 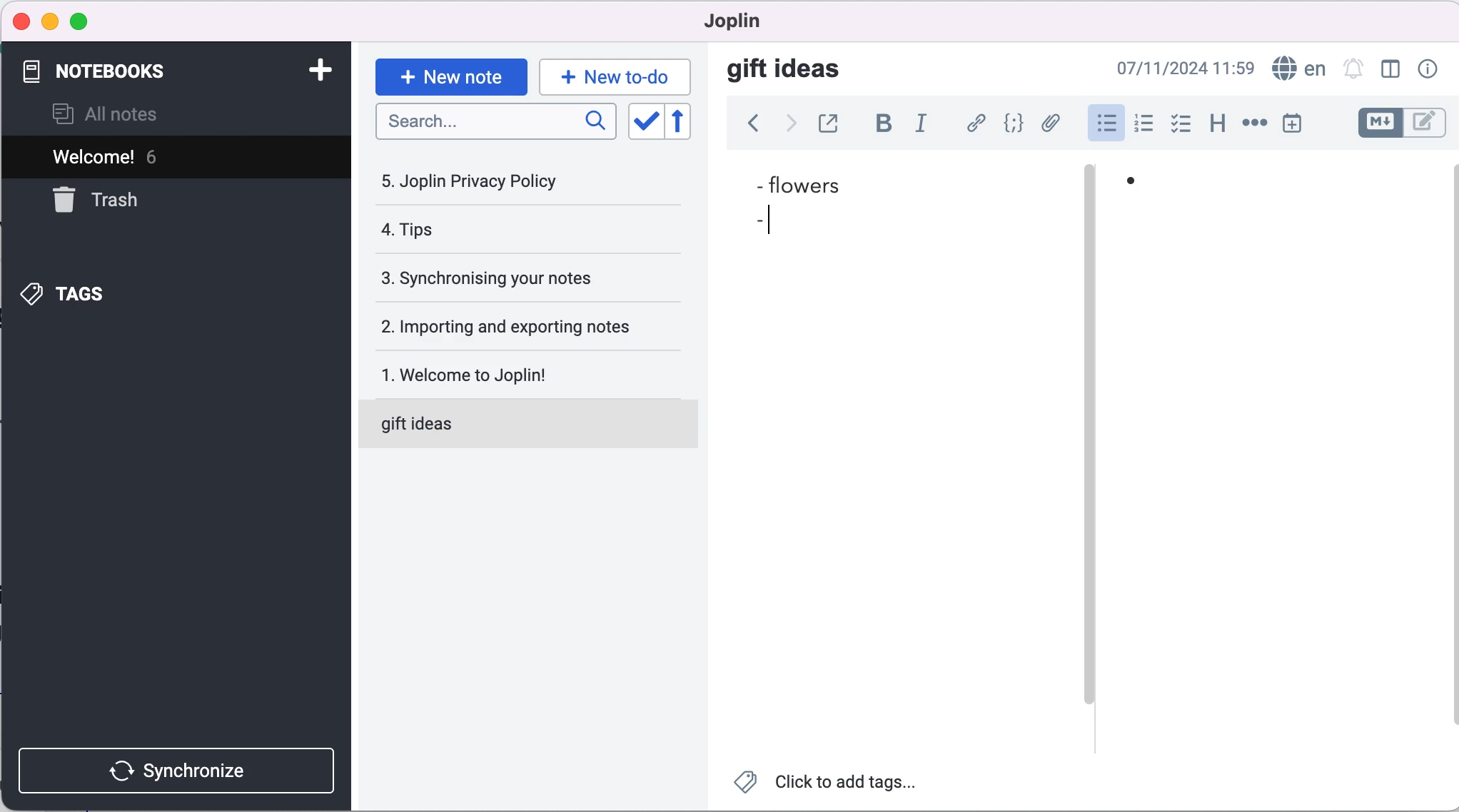 What do you see at coordinates (1216, 123) in the screenshot?
I see `heading` at bounding box center [1216, 123].